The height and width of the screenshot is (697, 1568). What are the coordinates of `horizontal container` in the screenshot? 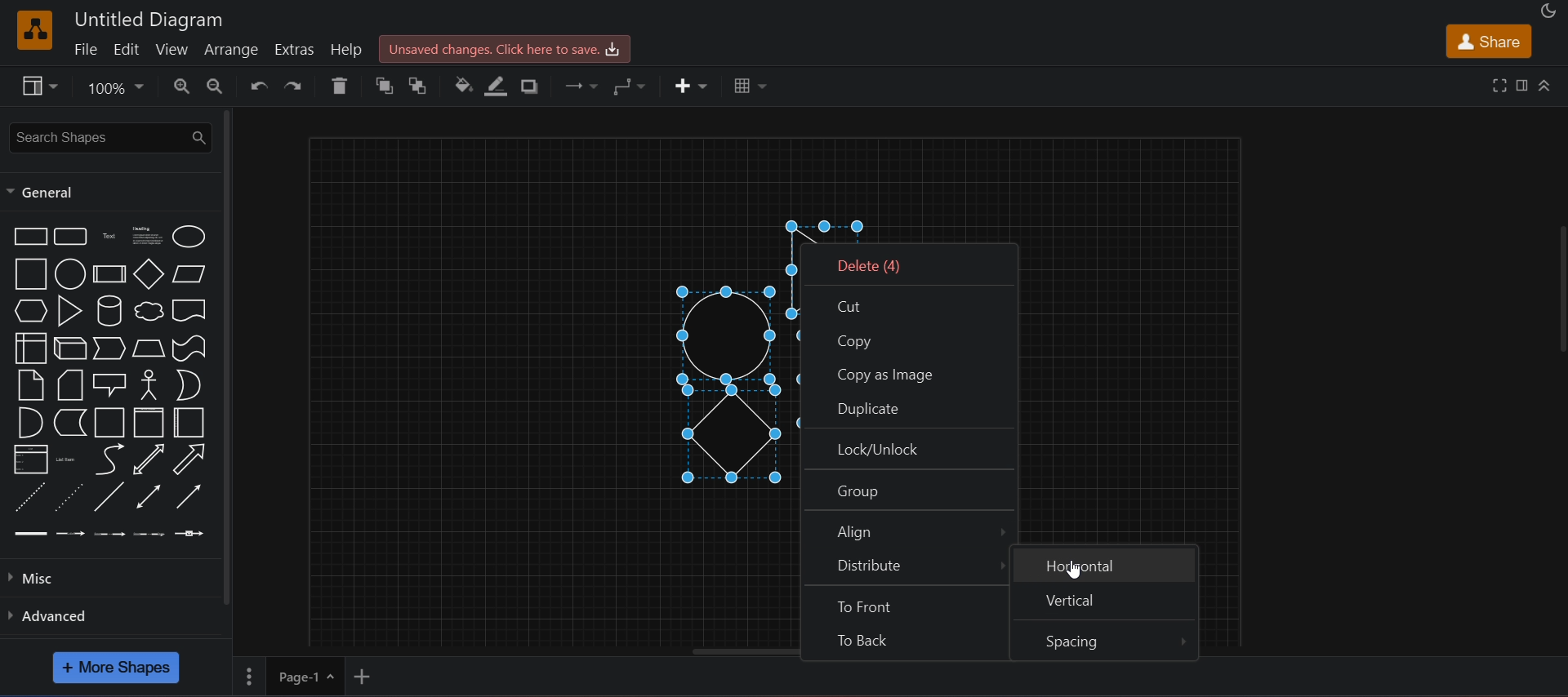 It's located at (189, 422).